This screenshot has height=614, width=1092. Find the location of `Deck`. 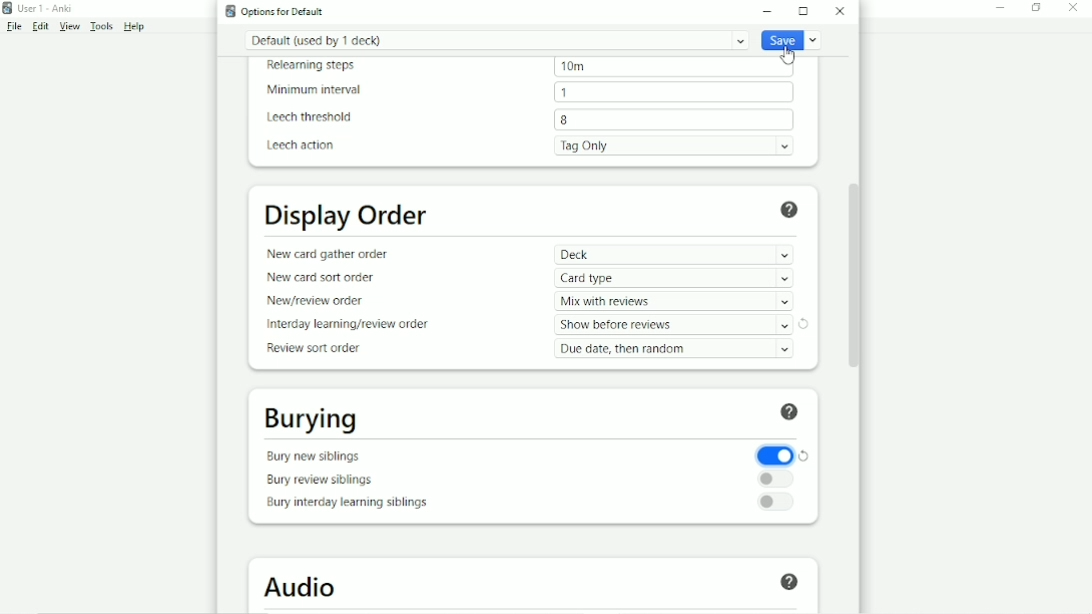

Deck is located at coordinates (673, 254).